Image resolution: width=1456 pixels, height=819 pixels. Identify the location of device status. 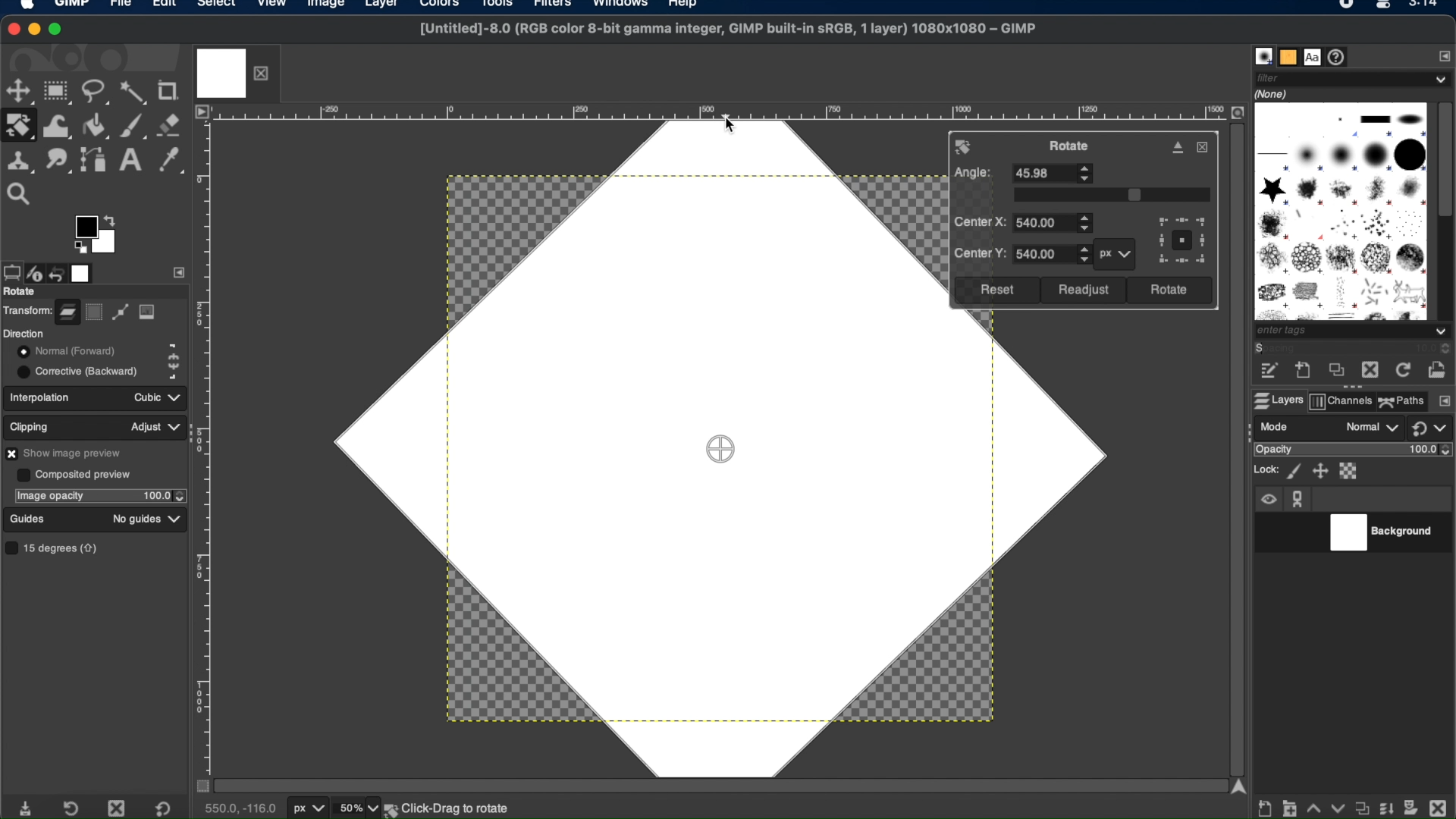
(36, 271).